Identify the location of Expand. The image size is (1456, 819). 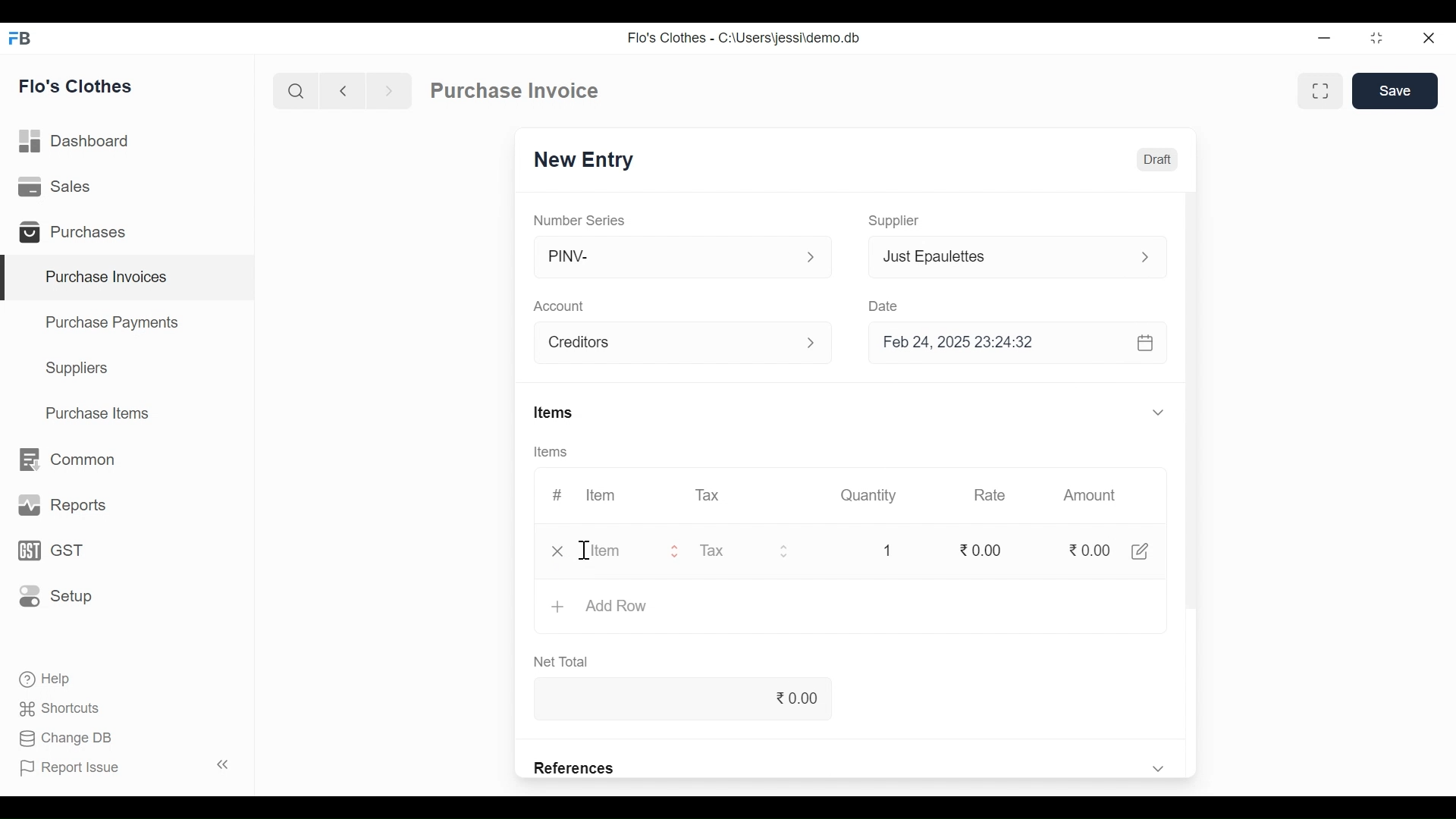
(674, 551).